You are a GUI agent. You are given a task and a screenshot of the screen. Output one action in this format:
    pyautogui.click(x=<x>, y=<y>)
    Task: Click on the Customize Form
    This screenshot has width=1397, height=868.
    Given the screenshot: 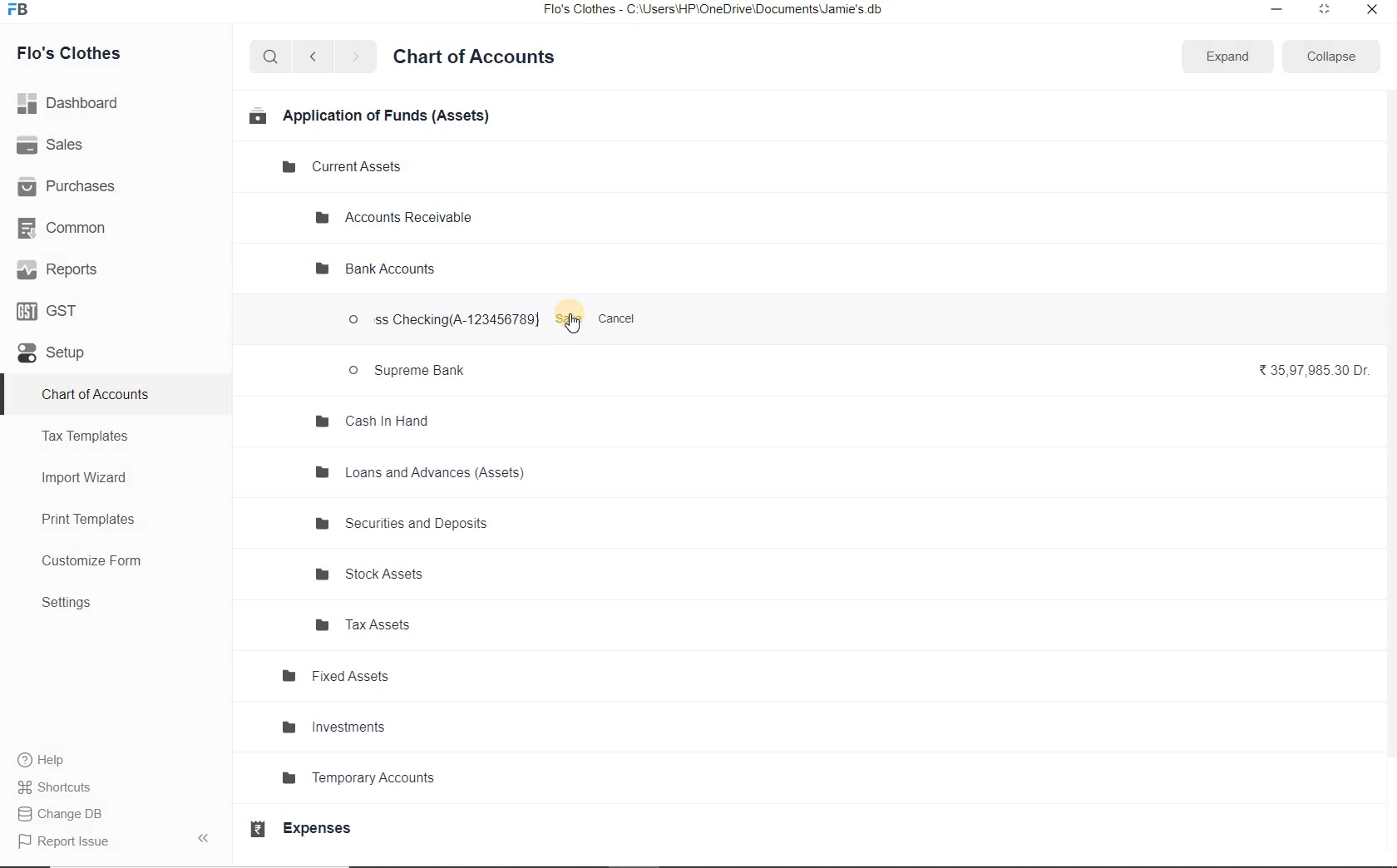 What is the action you would take?
    pyautogui.click(x=99, y=562)
    